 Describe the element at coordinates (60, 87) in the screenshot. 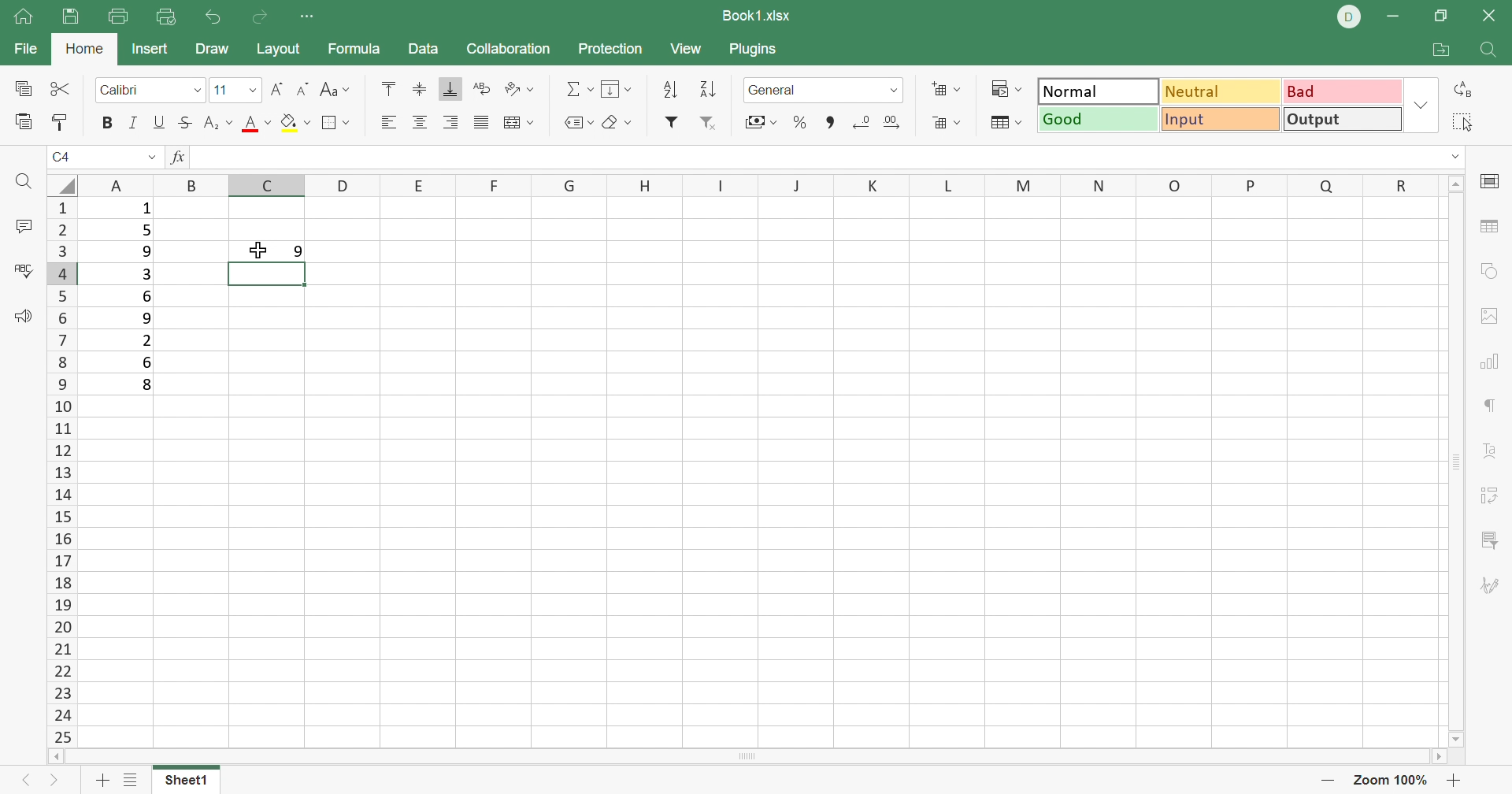

I see `Cut` at that location.